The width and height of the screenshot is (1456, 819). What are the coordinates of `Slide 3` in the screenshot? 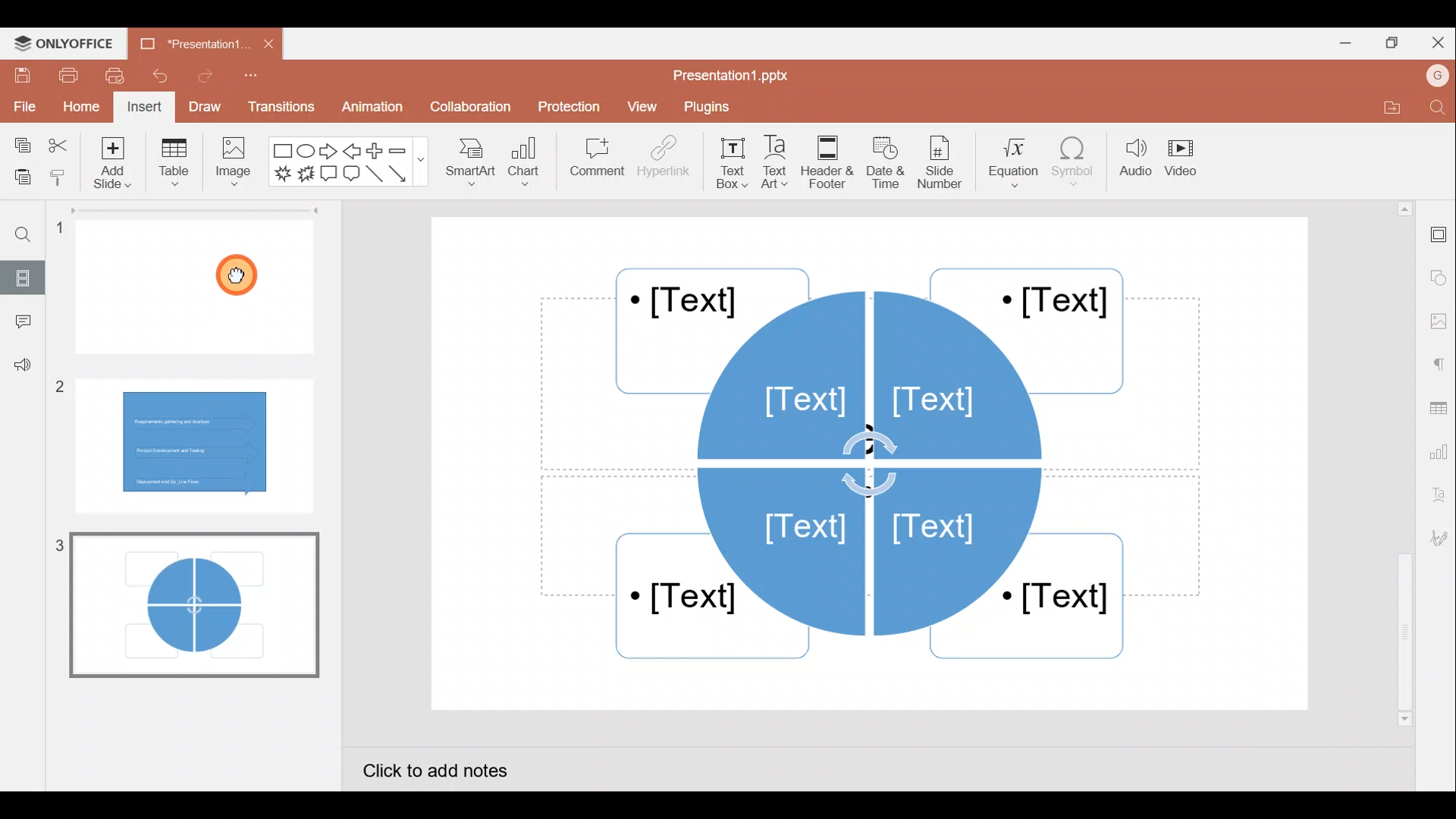 It's located at (190, 604).